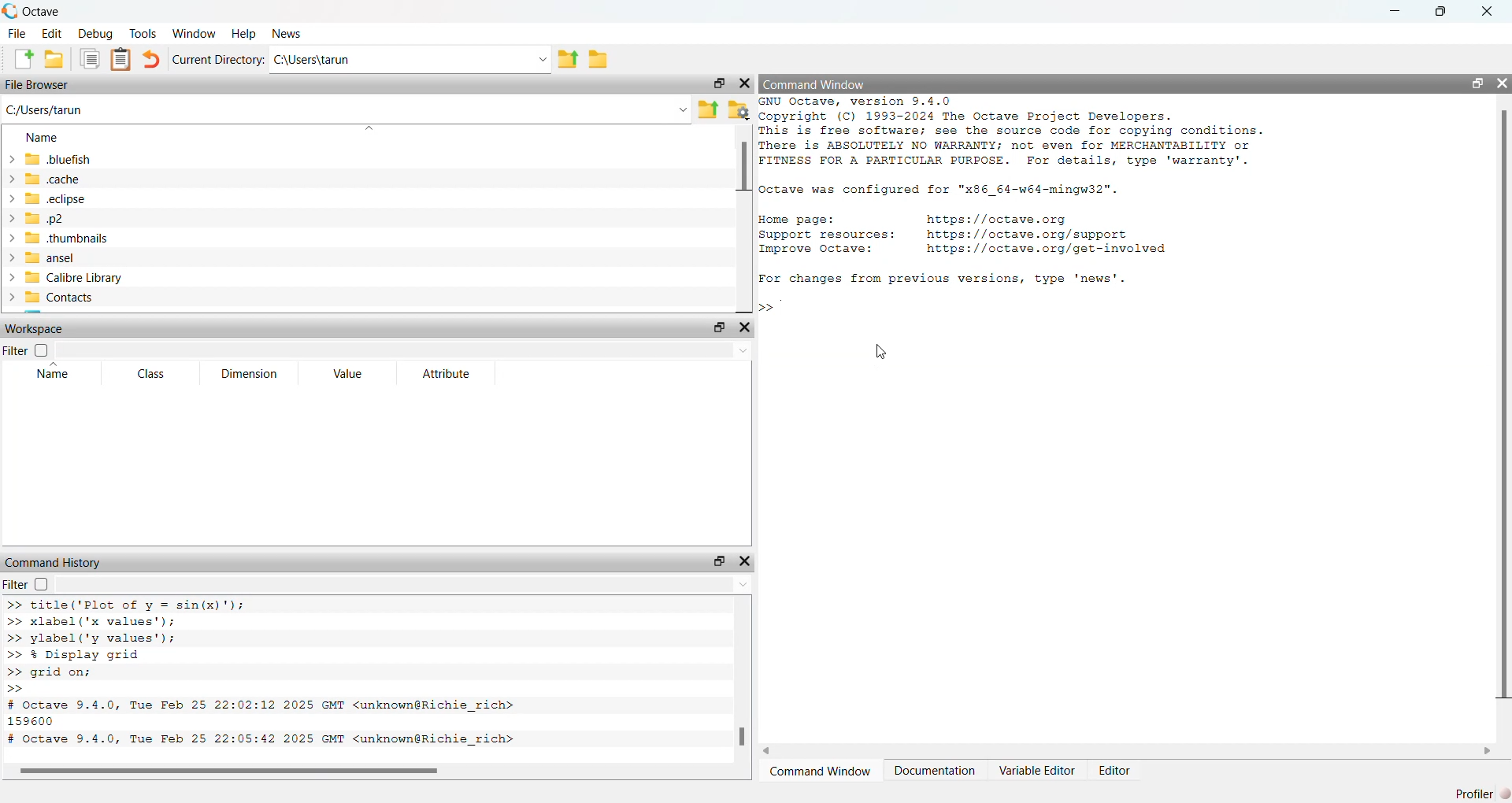  What do you see at coordinates (1010, 147) in the screenshot?
I see `This is free software; see the source code for copying conditions.
There is ABSOLUTELY NO WARRANTY; not even for MERCHANTABILITY or
FITNESS FOR A PARTICULAR PURPOSE. For details, type 'warranty'.` at bounding box center [1010, 147].